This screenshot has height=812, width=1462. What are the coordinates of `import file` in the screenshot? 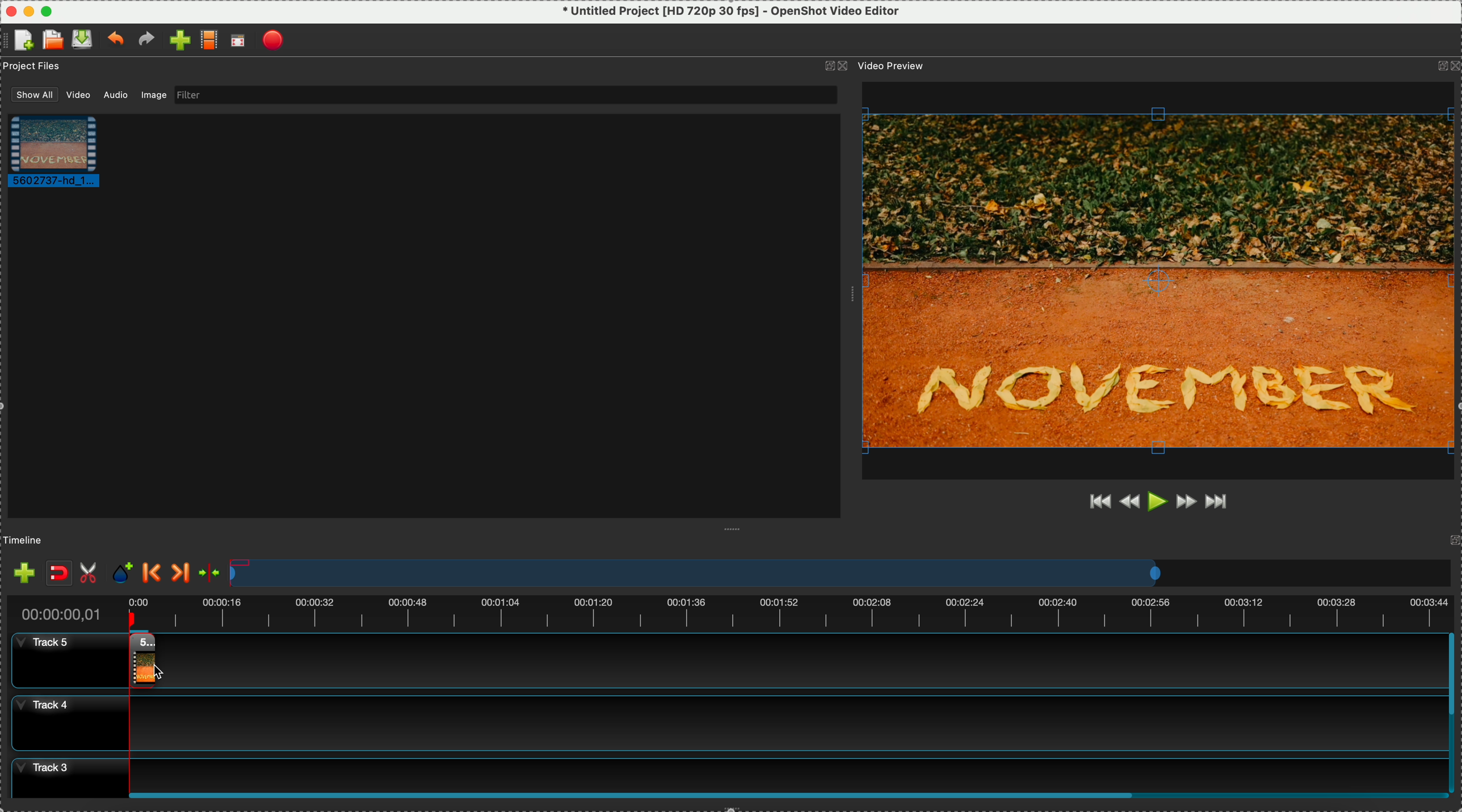 It's located at (176, 40).